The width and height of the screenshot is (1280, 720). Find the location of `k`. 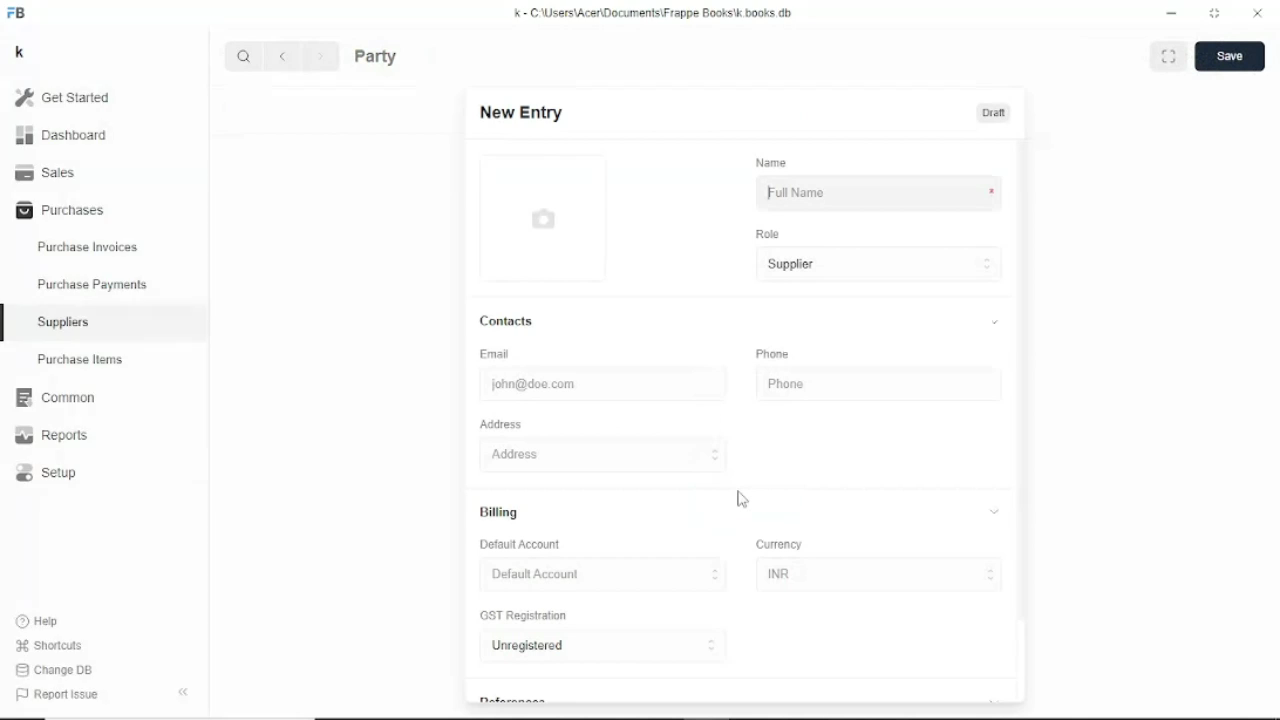

k is located at coordinates (19, 52).